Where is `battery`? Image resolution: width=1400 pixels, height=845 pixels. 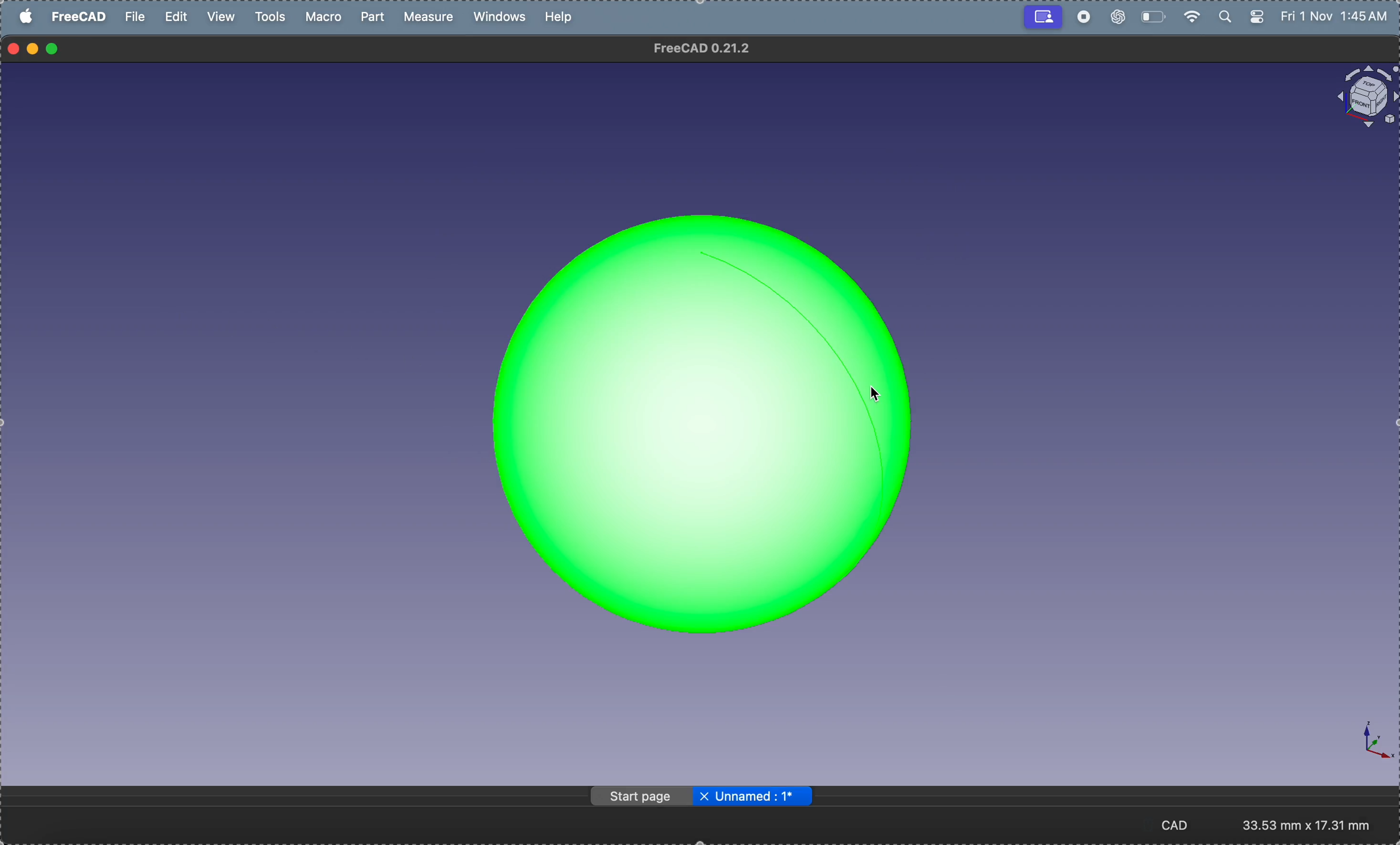 battery is located at coordinates (1153, 16).